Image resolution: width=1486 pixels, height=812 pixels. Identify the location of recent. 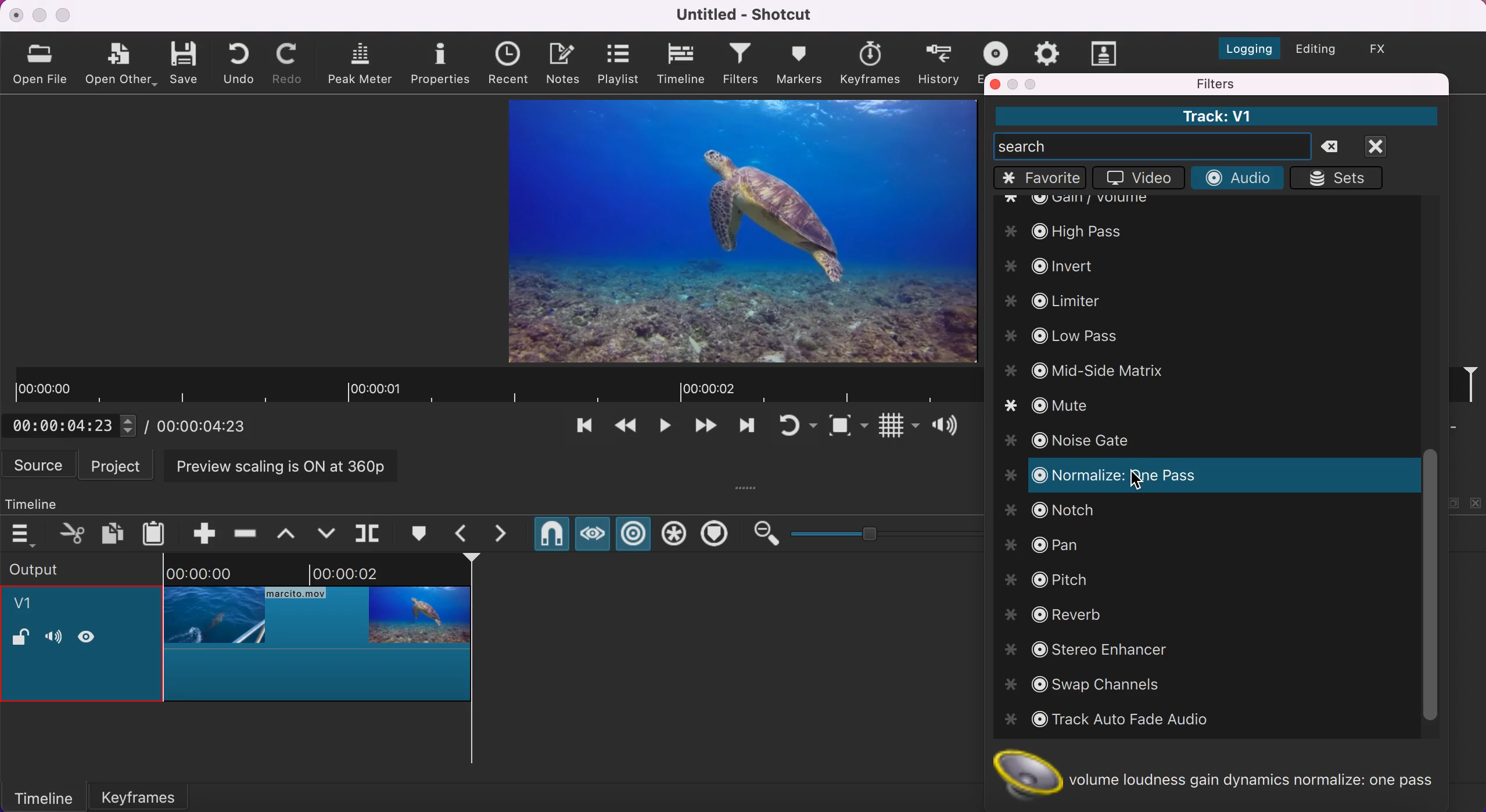
(512, 64).